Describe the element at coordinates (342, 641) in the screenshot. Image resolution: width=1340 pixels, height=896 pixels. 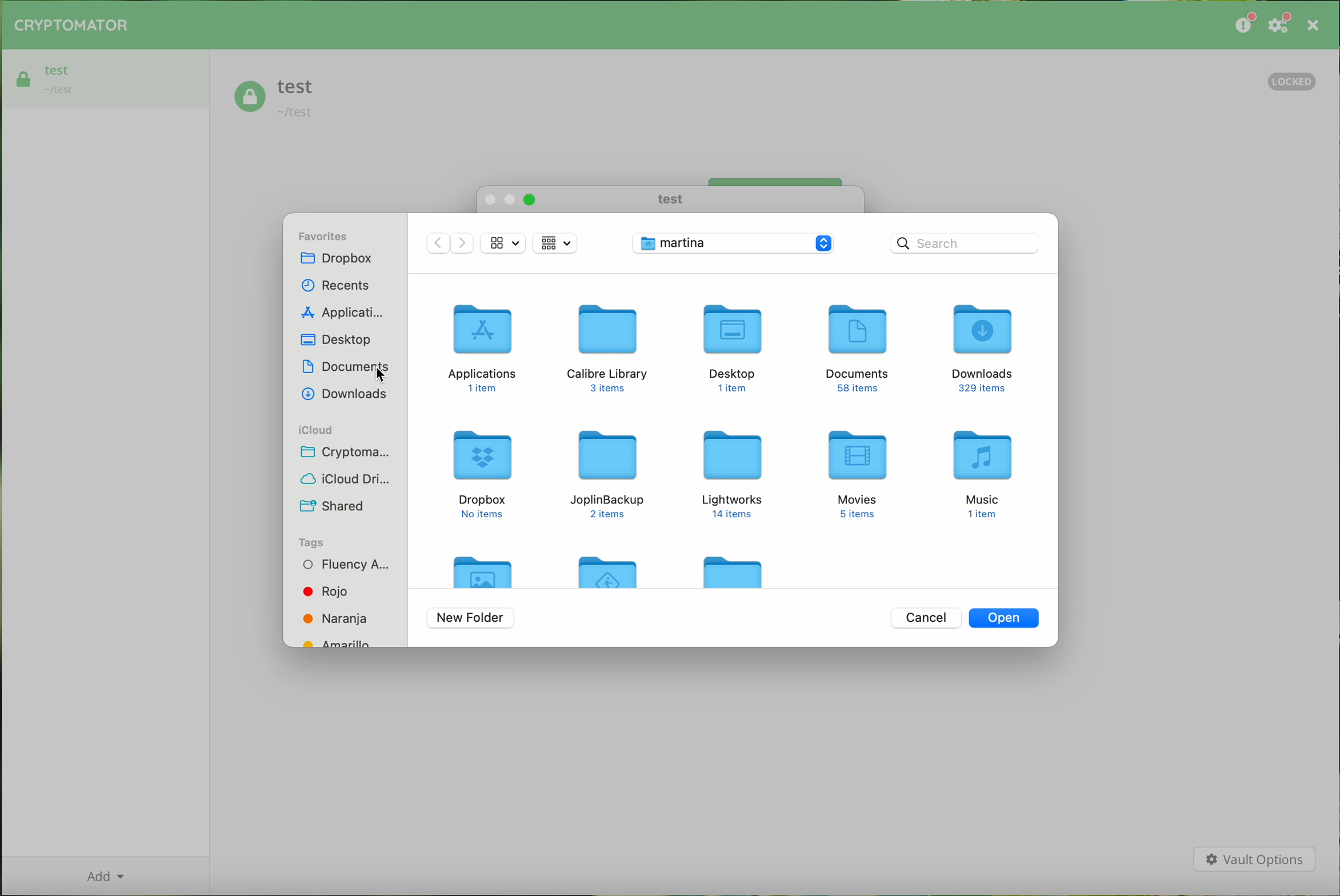
I see `yellow` at that location.